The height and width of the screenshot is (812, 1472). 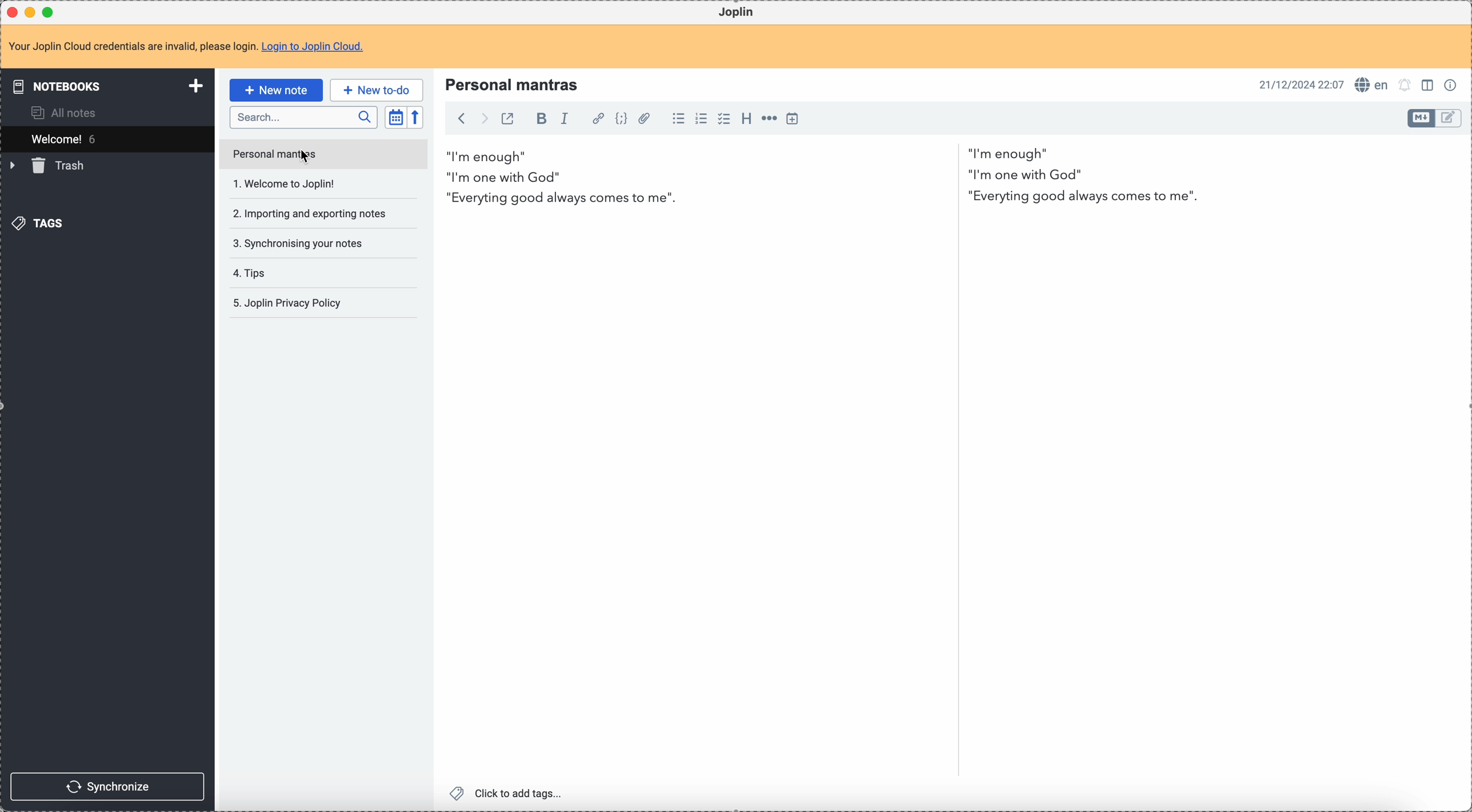 What do you see at coordinates (675, 118) in the screenshot?
I see `bulleted list` at bounding box center [675, 118].